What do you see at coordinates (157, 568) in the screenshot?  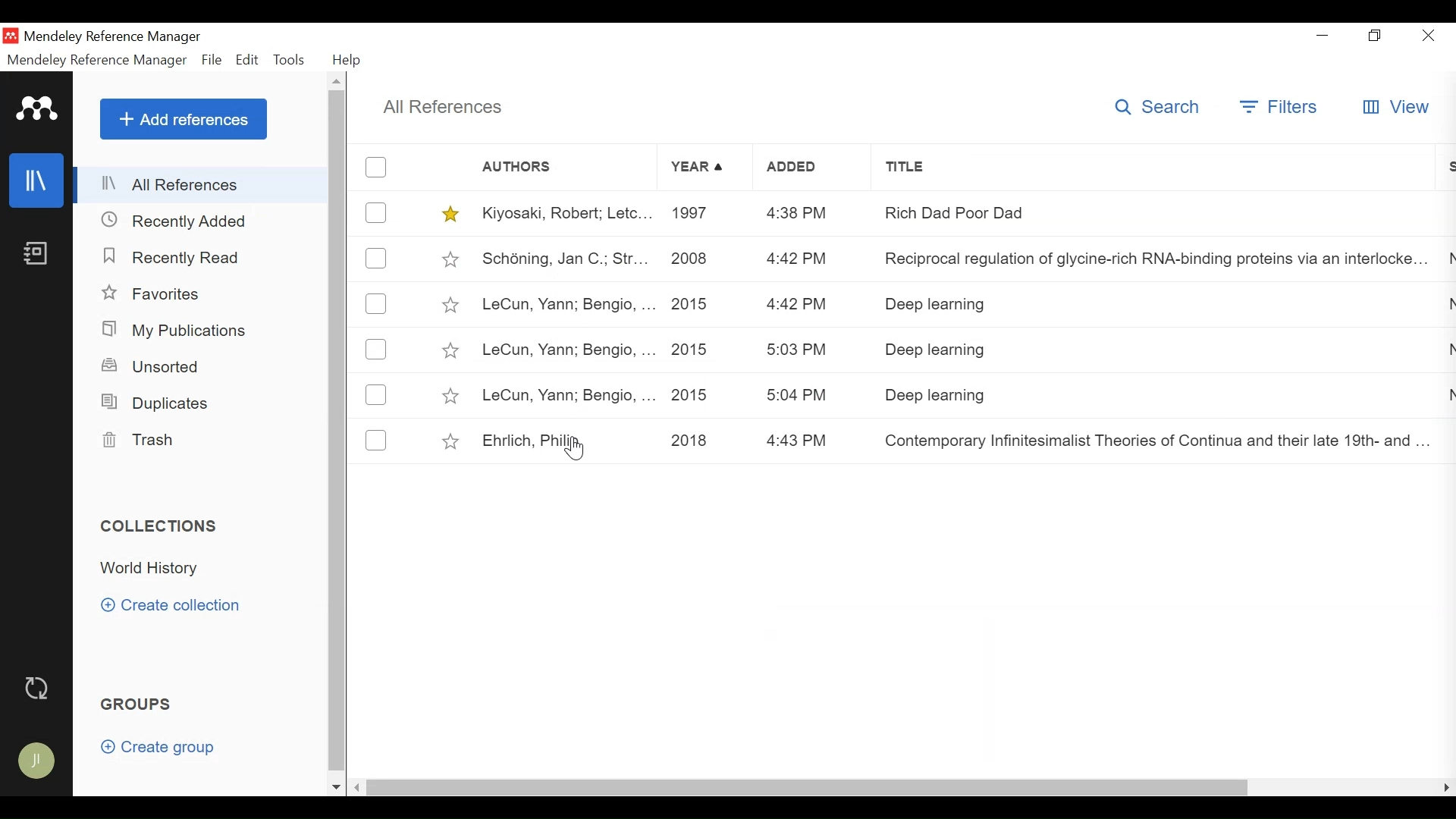 I see `Collection` at bounding box center [157, 568].